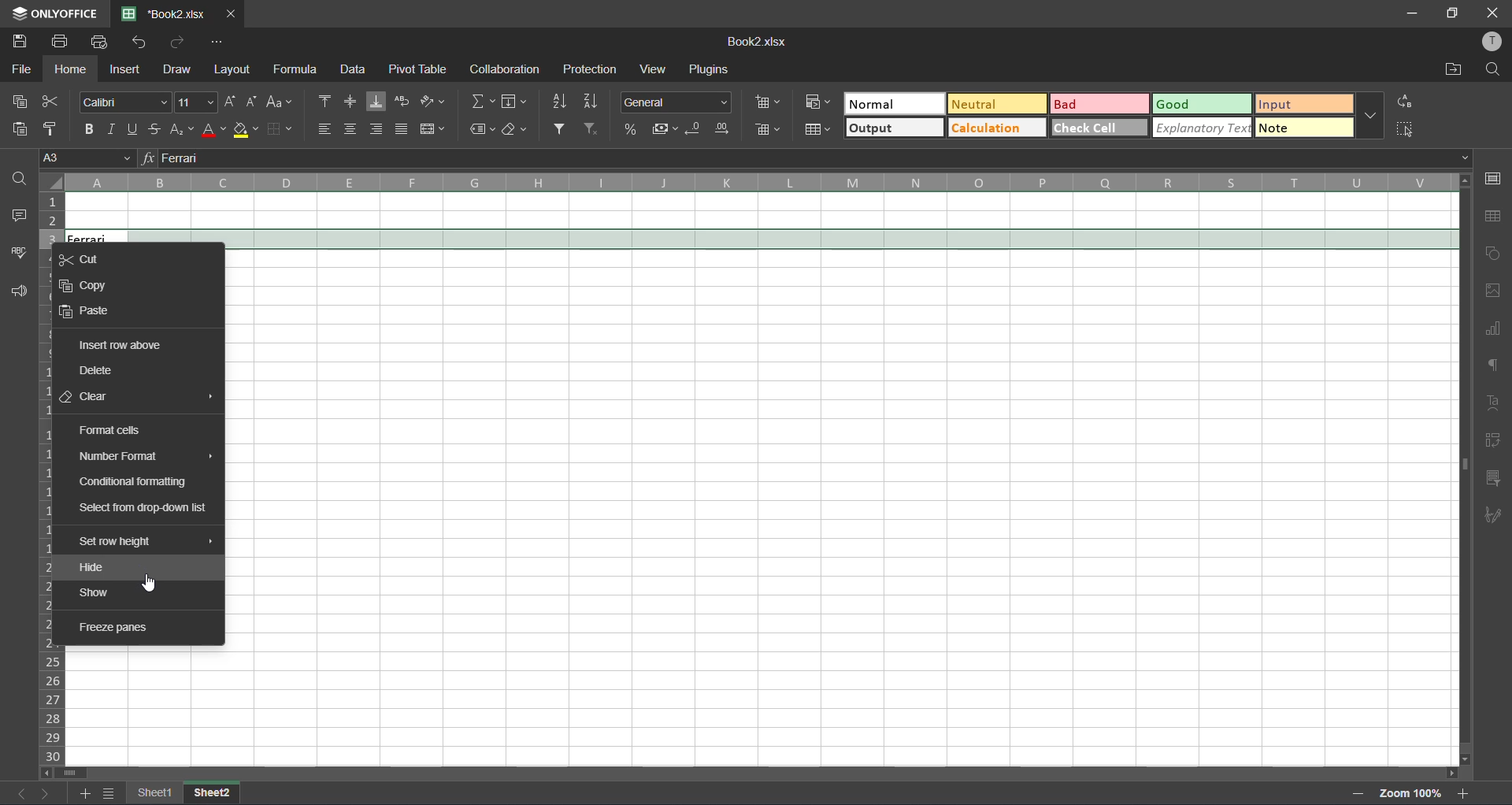 This screenshot has width=1512, height=805. I want to click on zoom factor, so click(1412, 793).